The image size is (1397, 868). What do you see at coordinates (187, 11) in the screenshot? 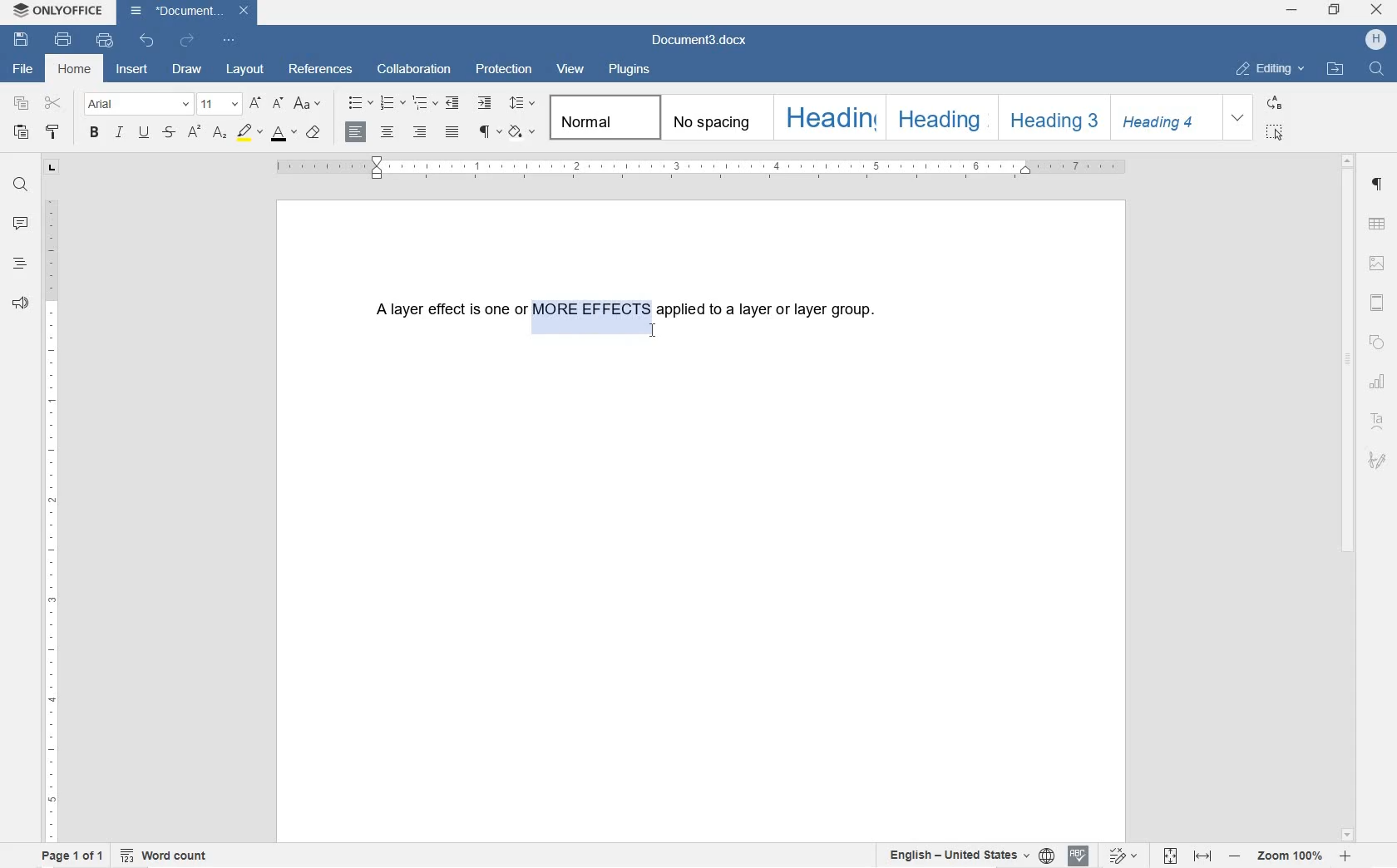
I see `document3.docx` at bounding box center [187, 11].